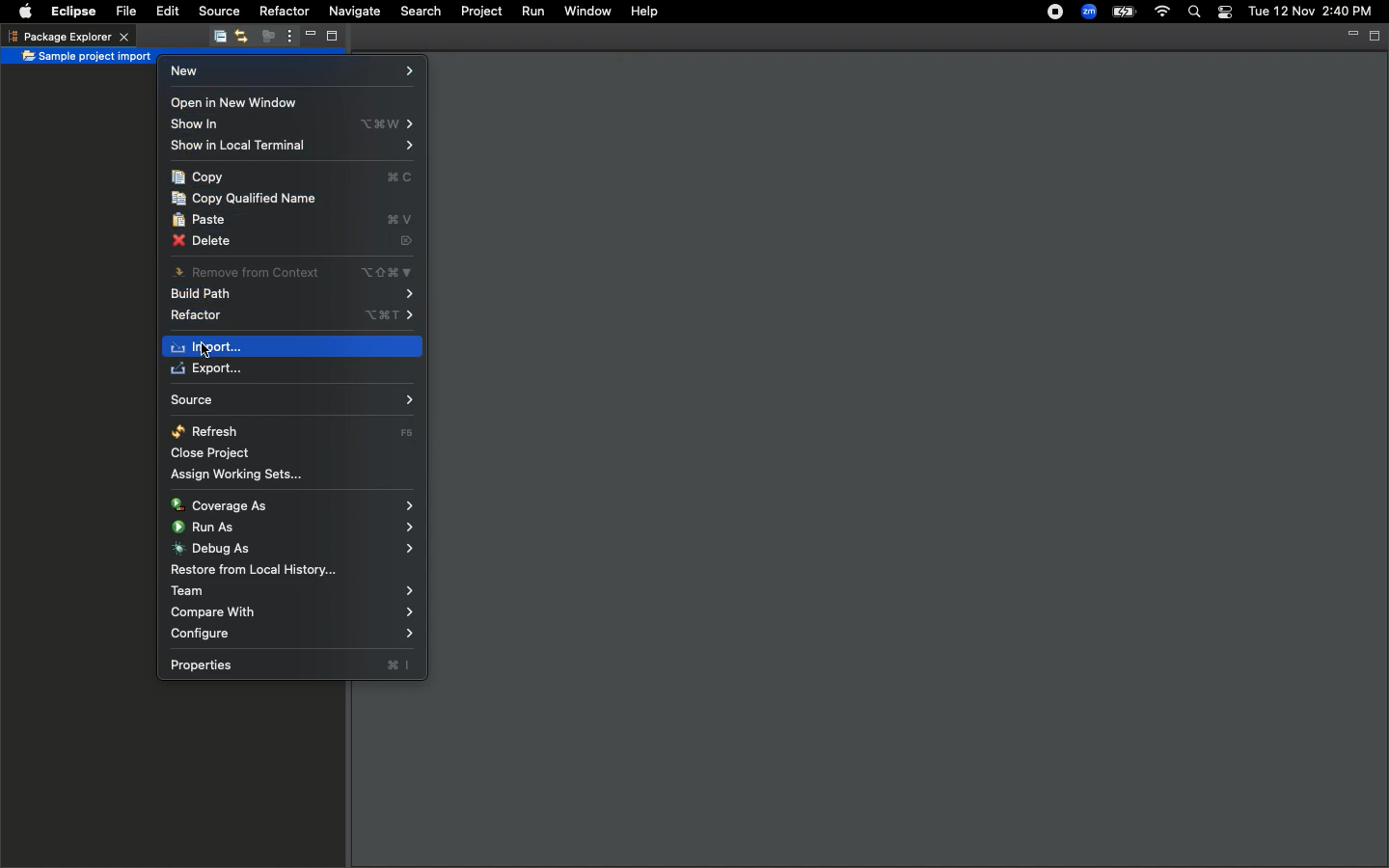 The image size is (1389, 868). Describe the element at coordinates (535, 12) in the screenshot. I see `Run` at that location.